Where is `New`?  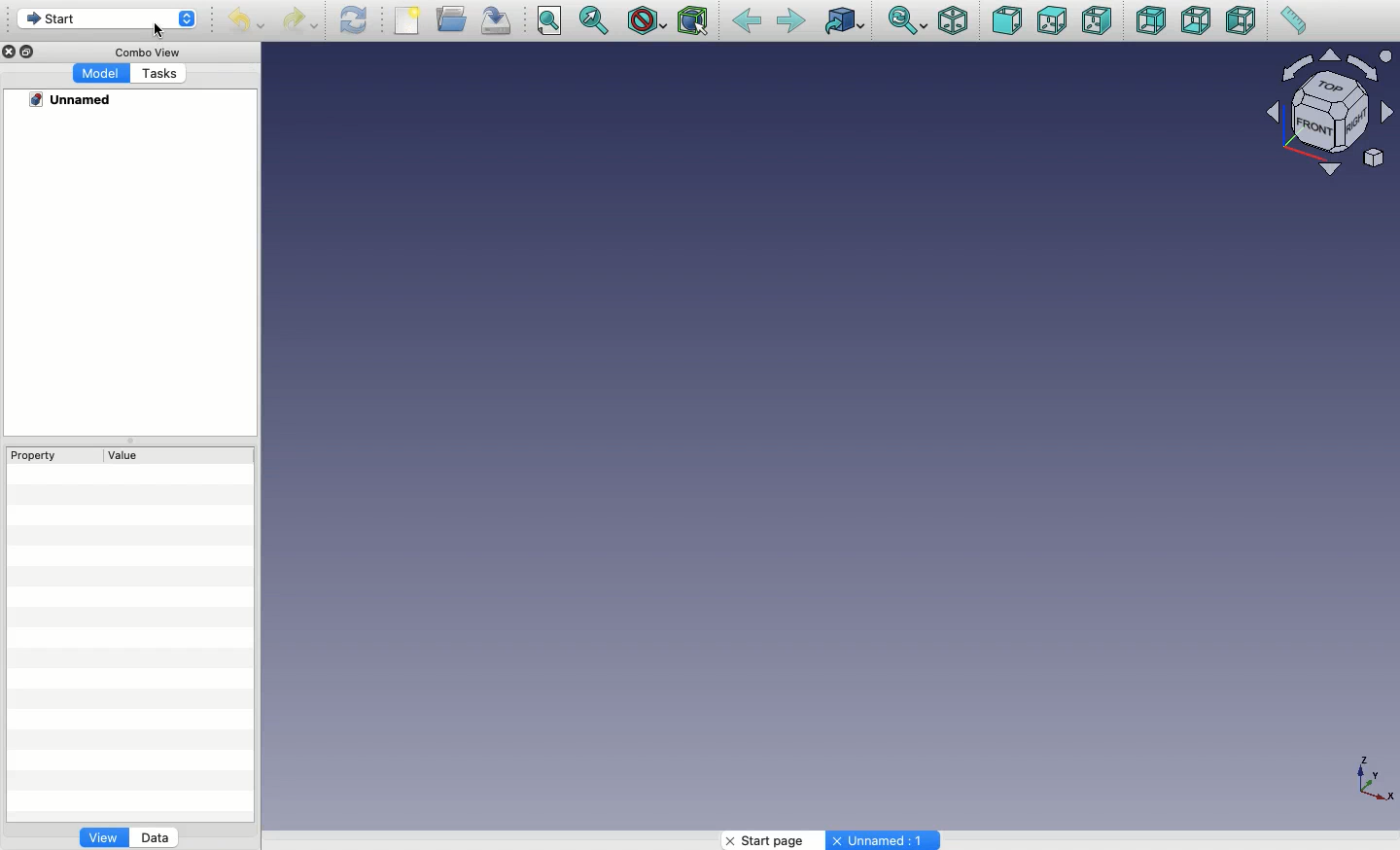
New is located at coordinates (409, 20).